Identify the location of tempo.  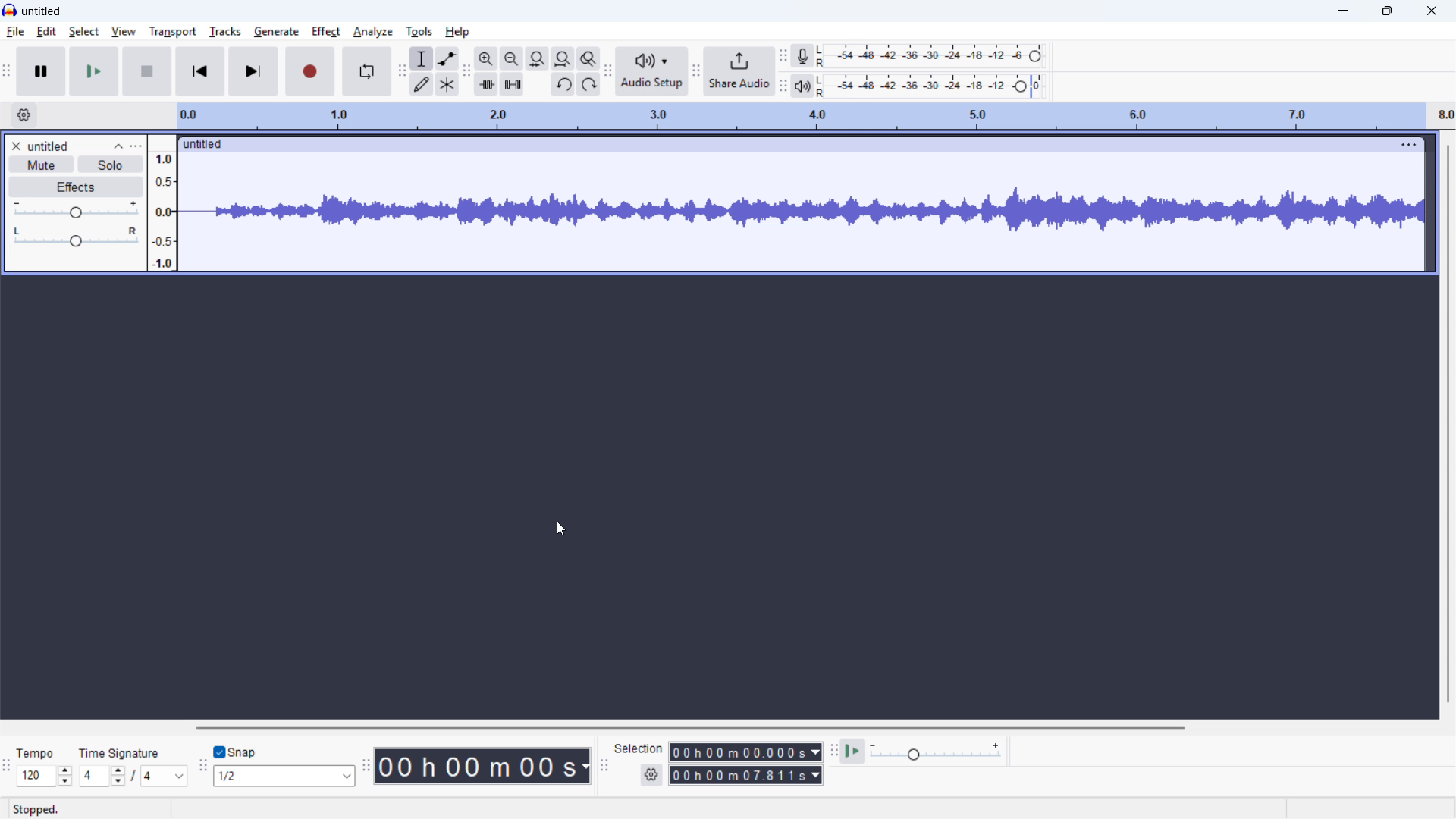
(36, 754).